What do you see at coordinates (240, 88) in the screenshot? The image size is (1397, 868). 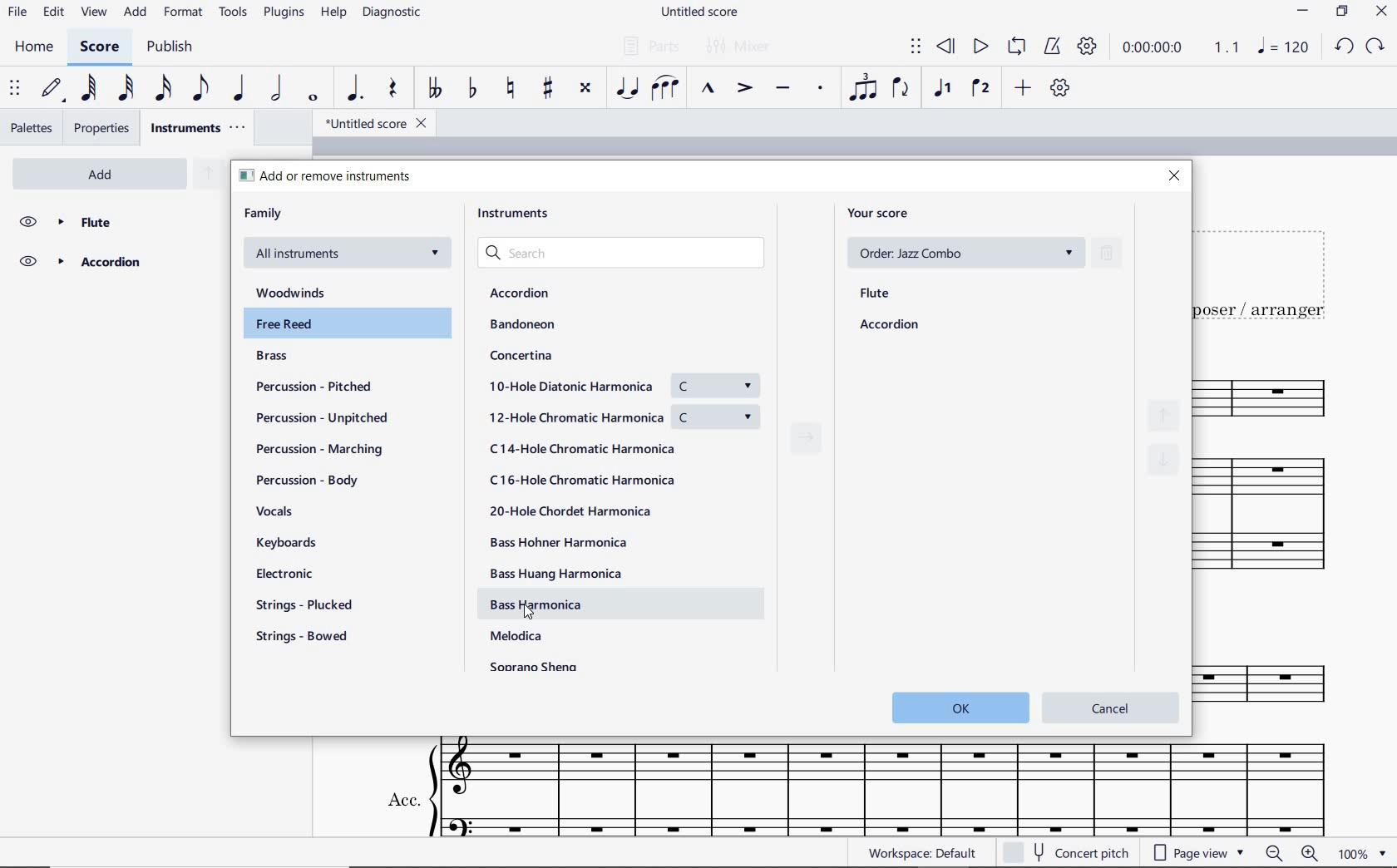 I see `quarter note` at bounding box center [240, 88].